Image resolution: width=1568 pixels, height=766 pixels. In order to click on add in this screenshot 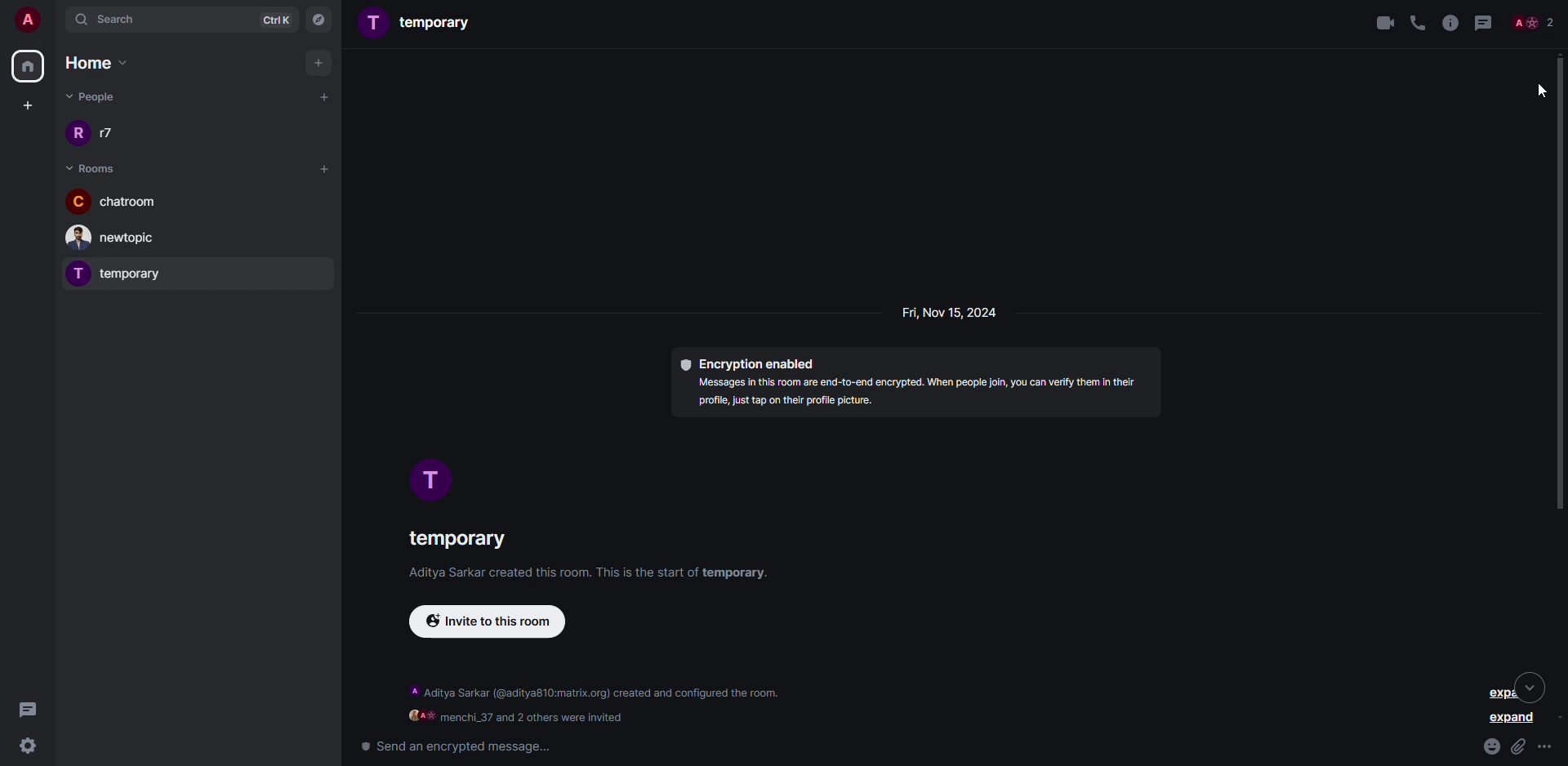, I will do `click(320, 62)`.